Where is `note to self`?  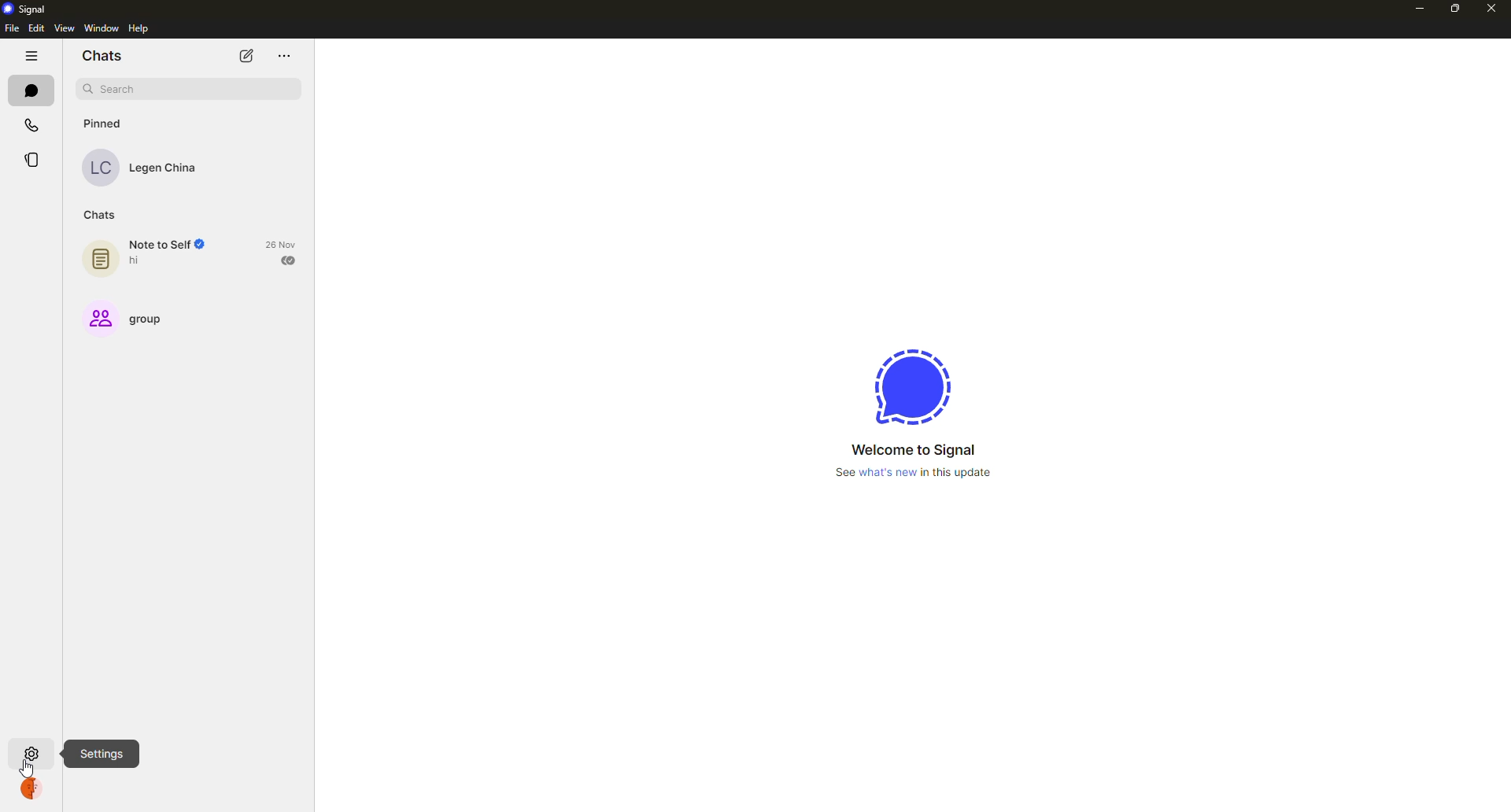 note to self is located at coordinates (147, 256).